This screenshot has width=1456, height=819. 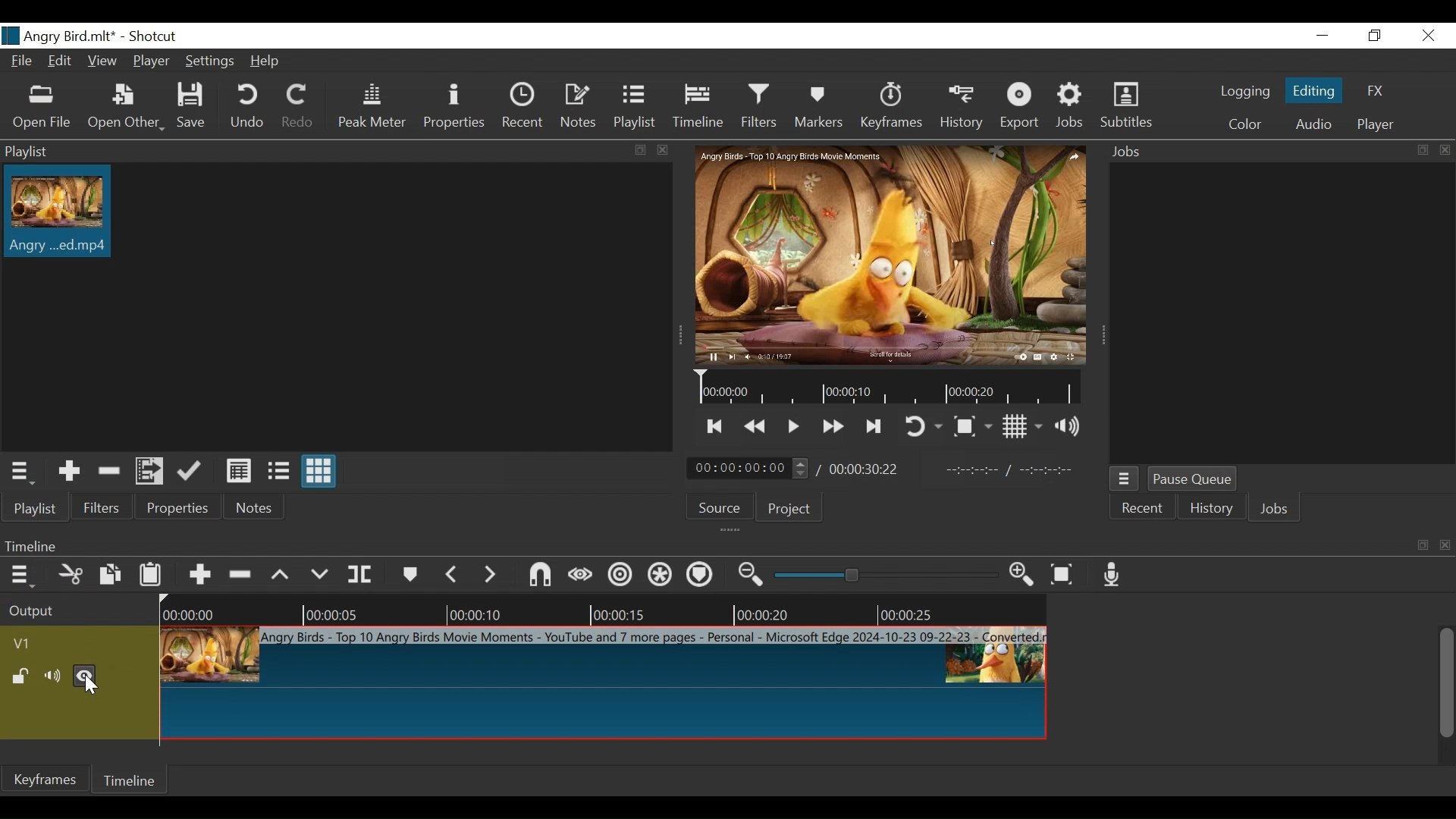 I want to click on Ripple, so click(x=620, y=575).